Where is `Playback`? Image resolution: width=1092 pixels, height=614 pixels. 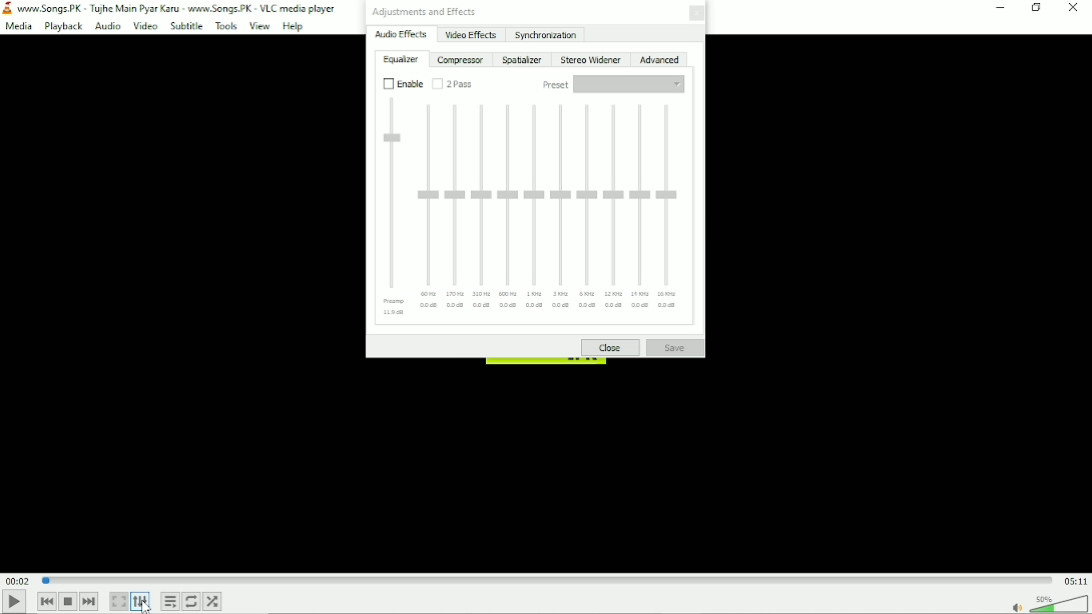
Playback is located at coordinates (64, 27).